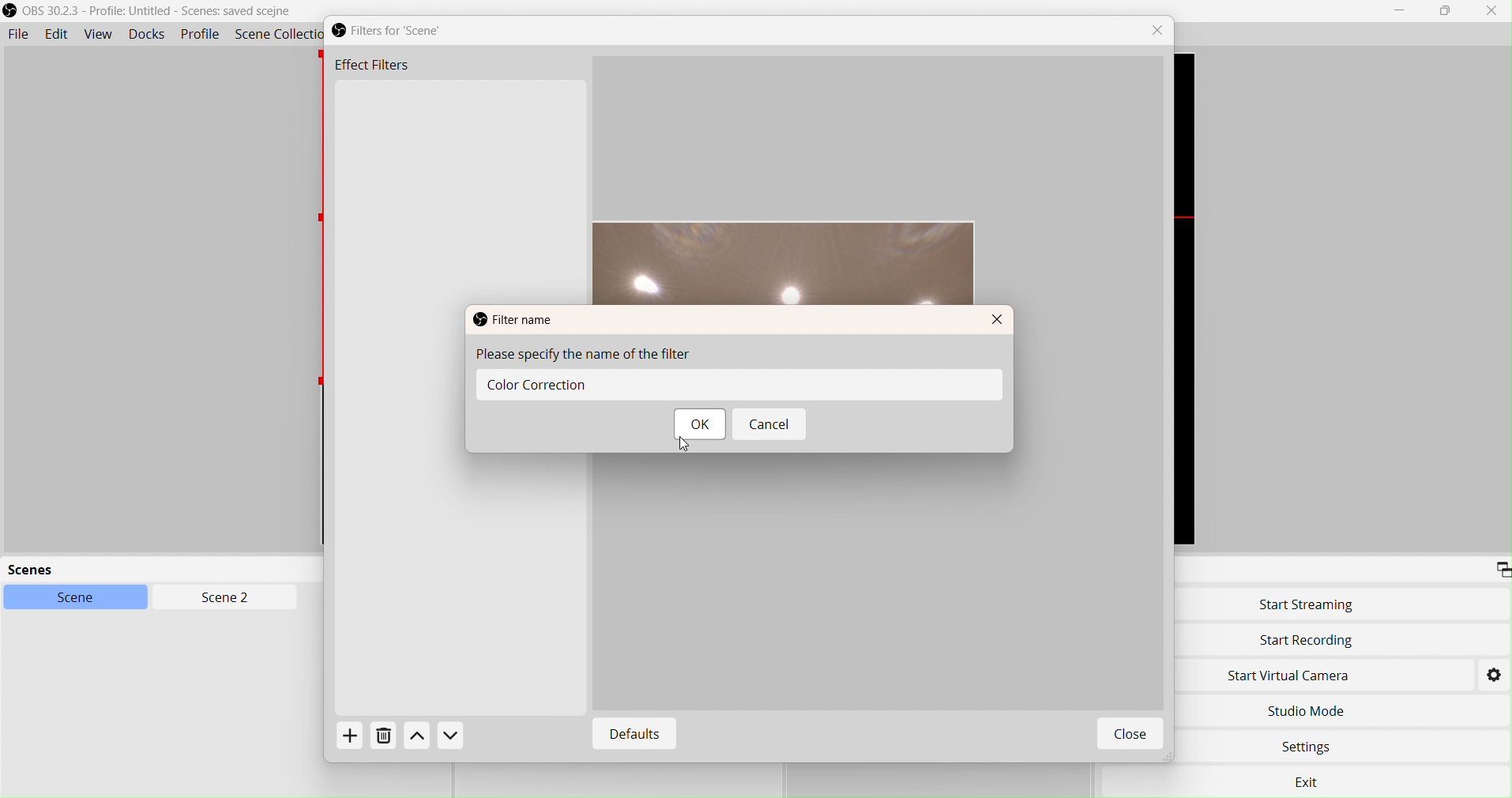 The width and height of the screenshot is (1512, 798). What do you see at coordinates (1494, 674) in the screenshot?
I see `Settings` at bounding box center [1494, 674].